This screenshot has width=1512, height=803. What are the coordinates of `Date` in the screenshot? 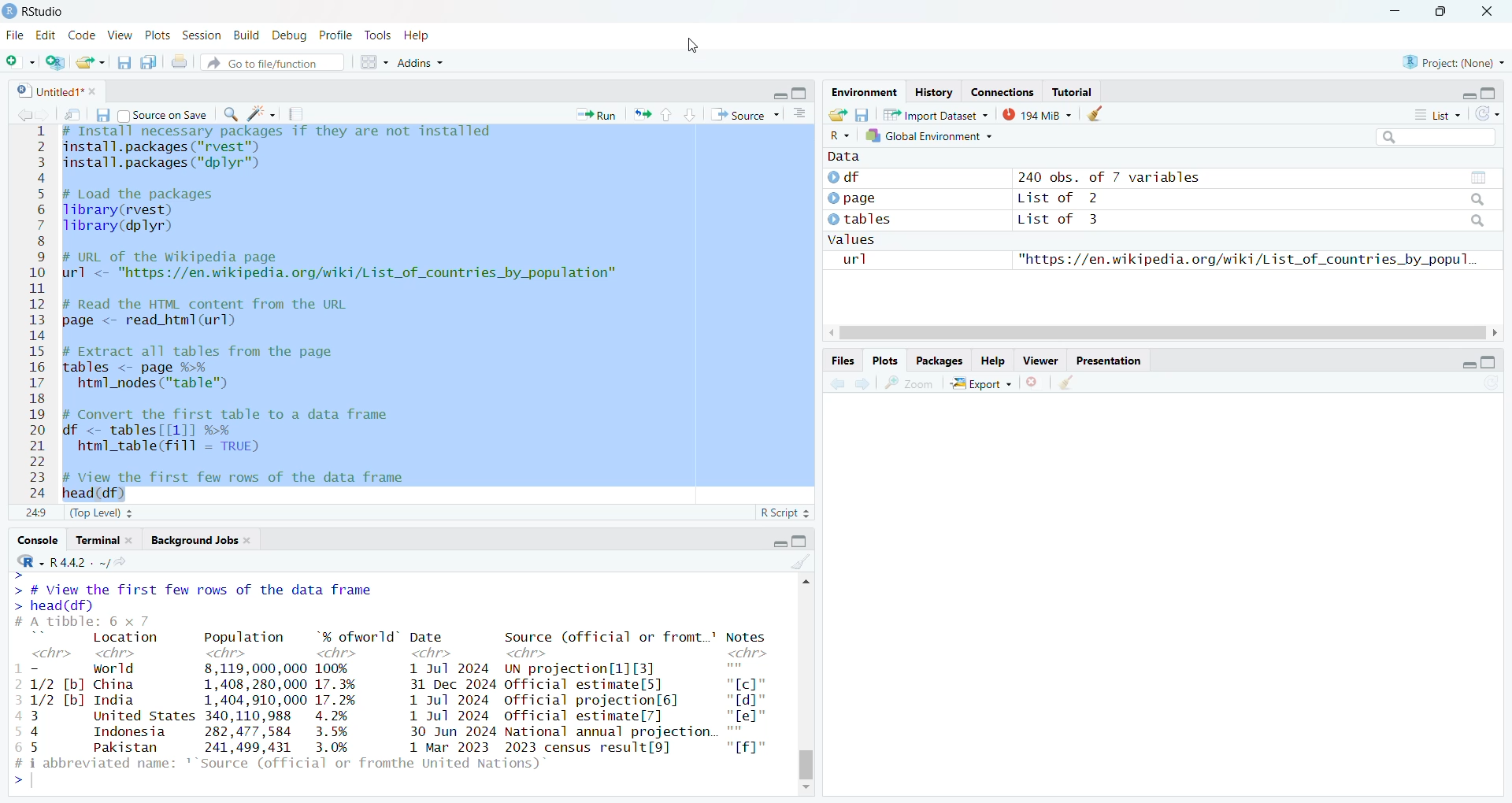 It's located at (427, 637).